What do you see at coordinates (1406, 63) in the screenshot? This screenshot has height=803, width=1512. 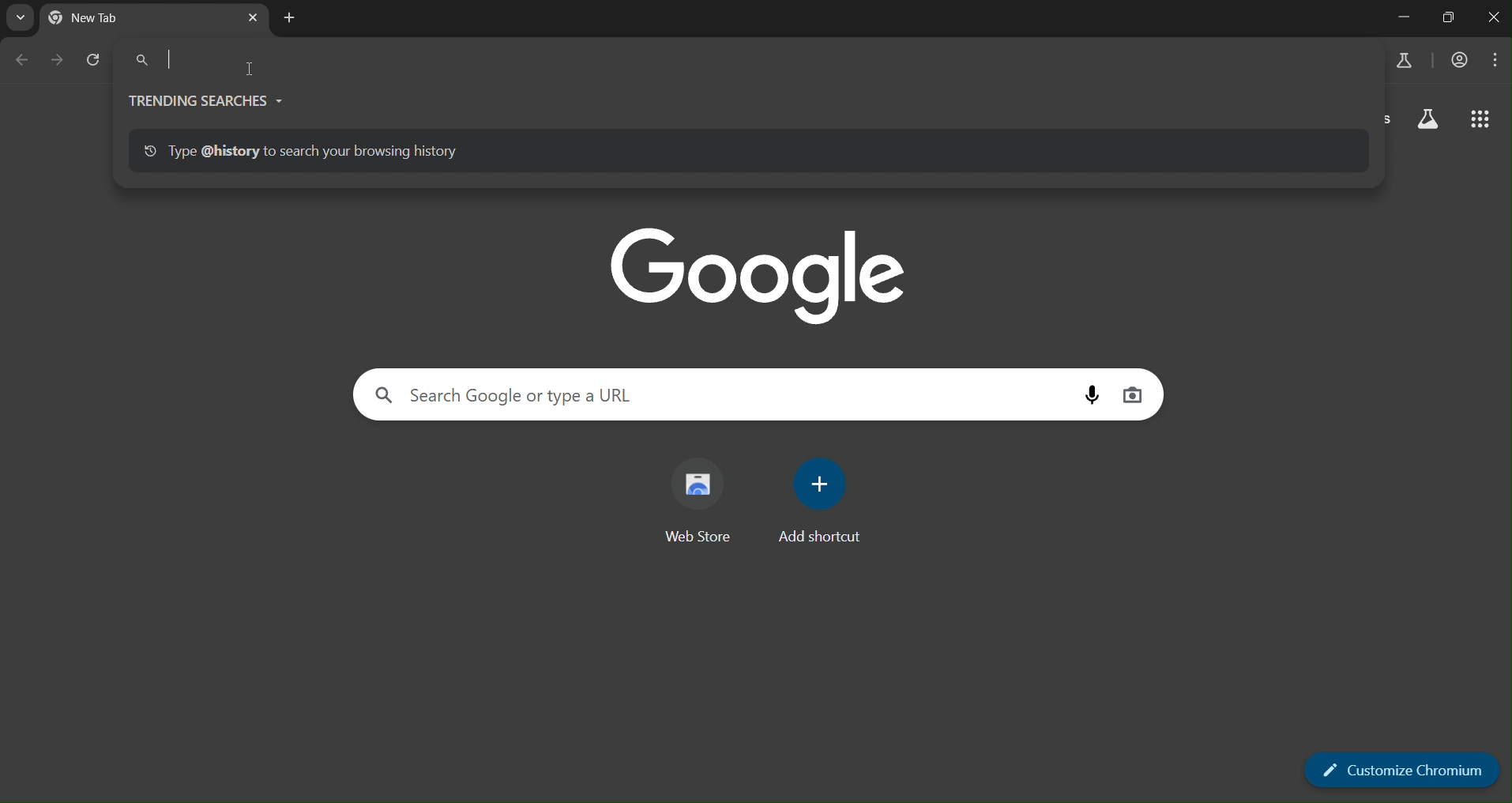 I see `search labs` at bounding box center [1406, 63].